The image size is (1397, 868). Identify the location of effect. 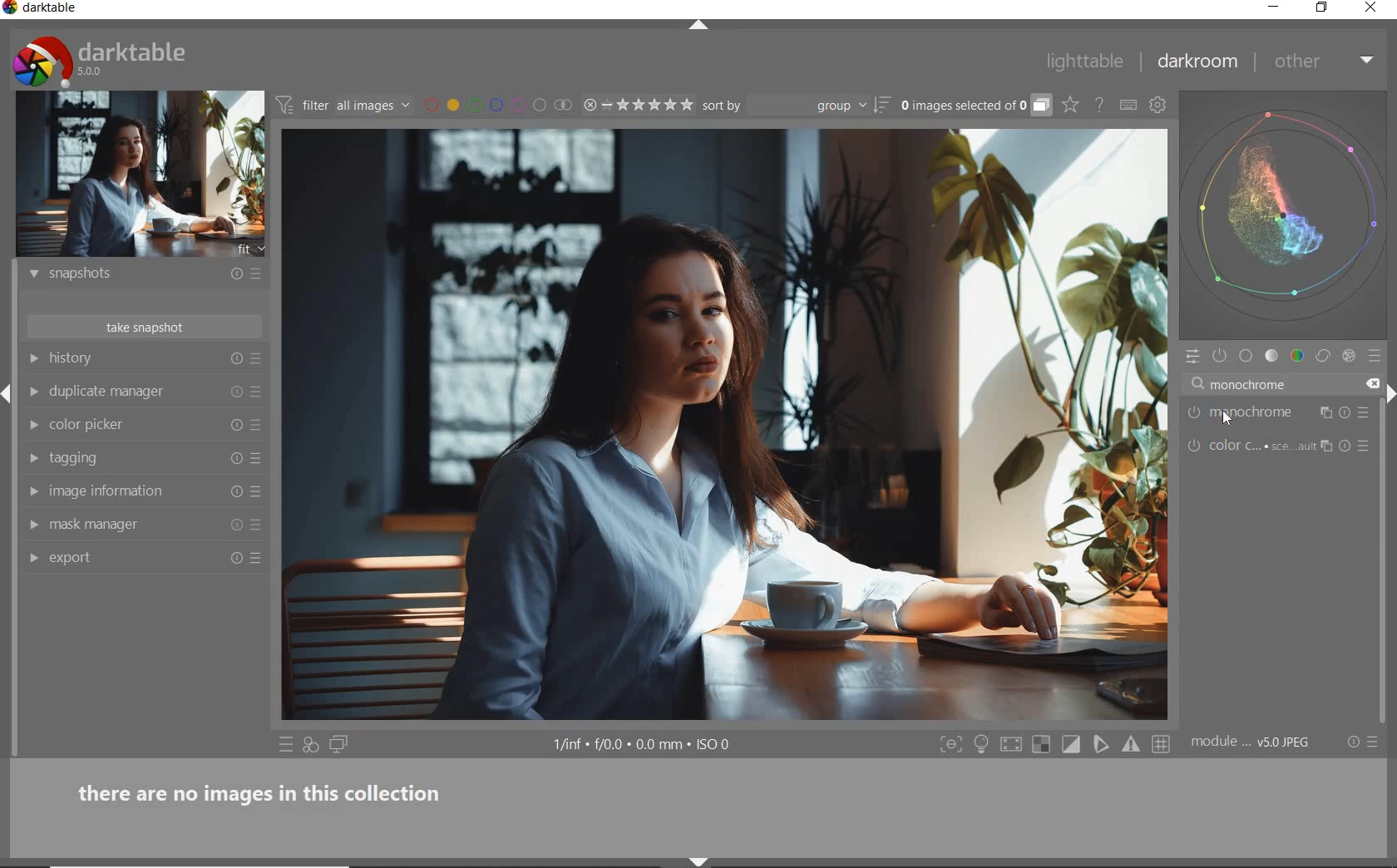
(1349, 358).